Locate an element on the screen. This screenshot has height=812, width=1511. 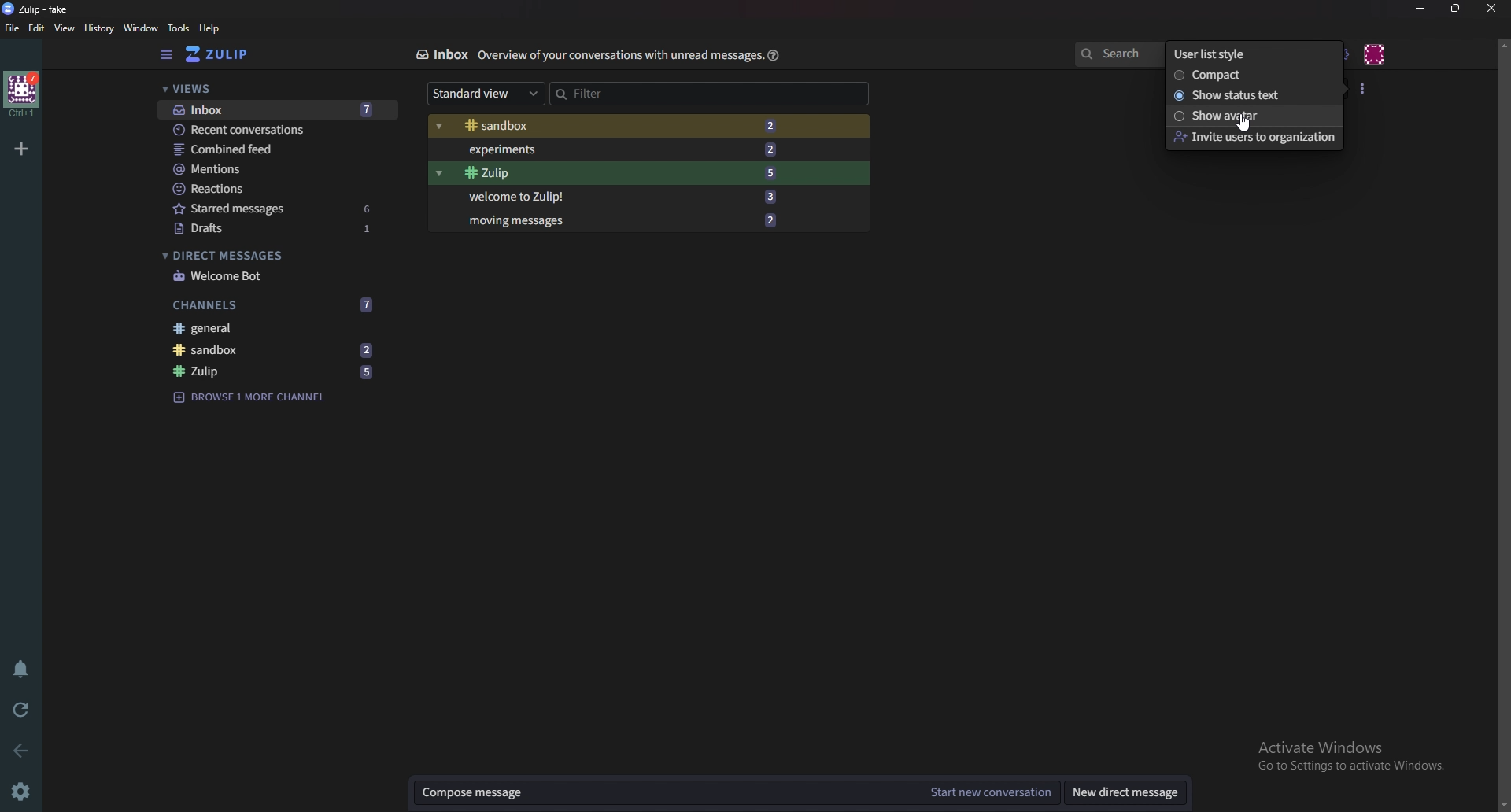
Inbox is located at coordinates (441, 55).